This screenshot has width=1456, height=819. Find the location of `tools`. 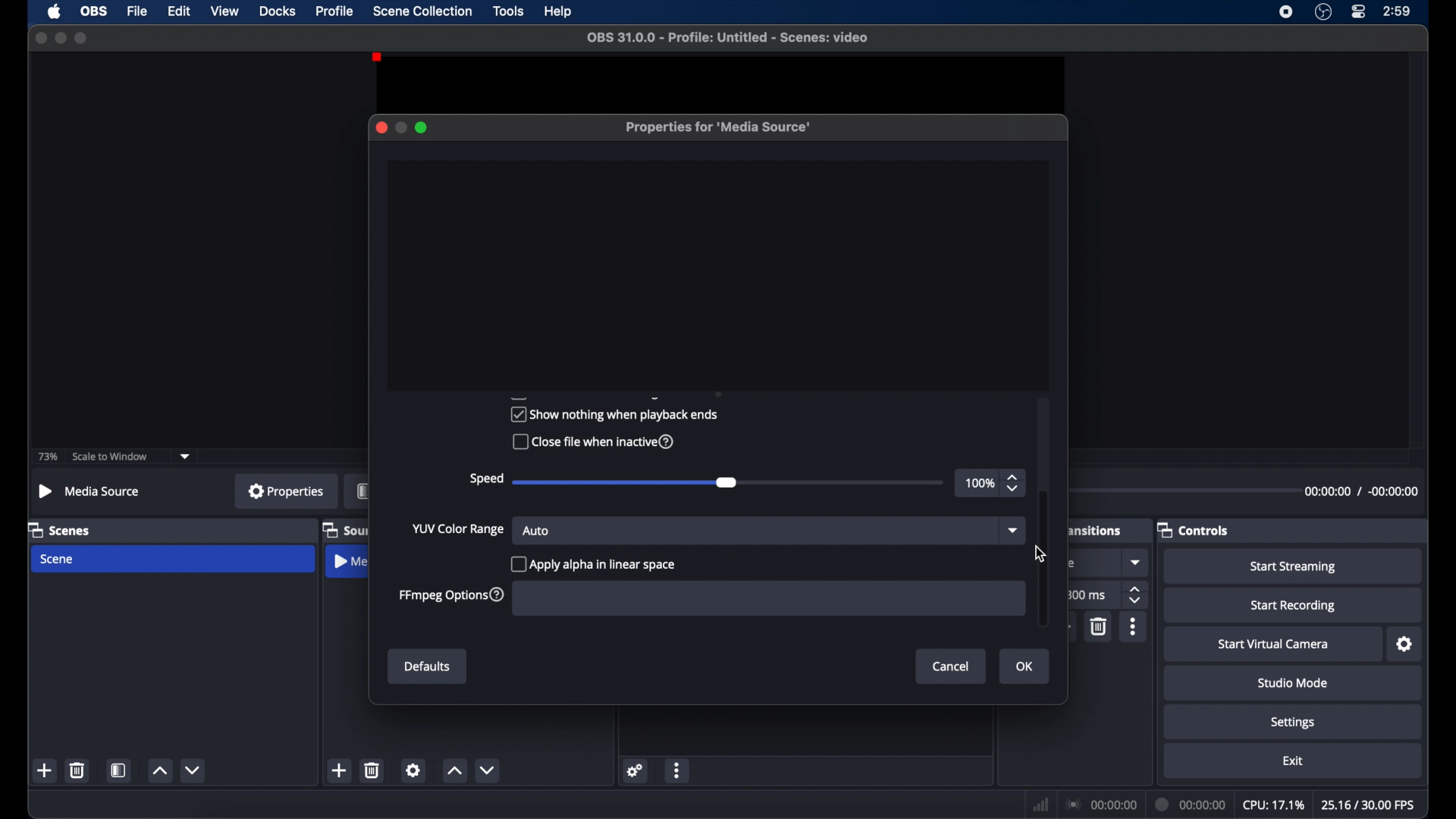

tools is located at coordinates (509, 11).